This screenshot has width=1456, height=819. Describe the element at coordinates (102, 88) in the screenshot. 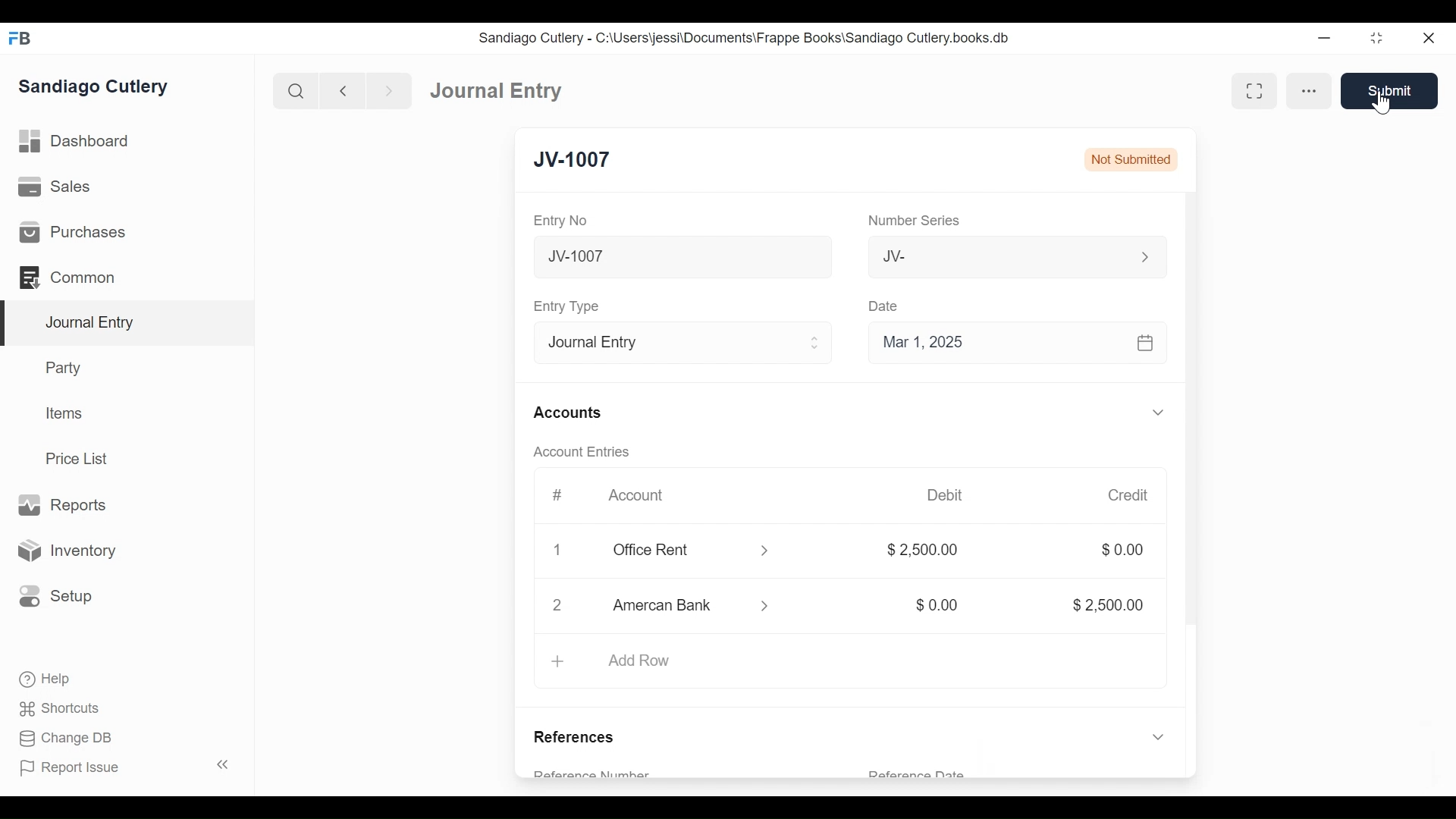

I see `Sandiago Cutlery` at that location.